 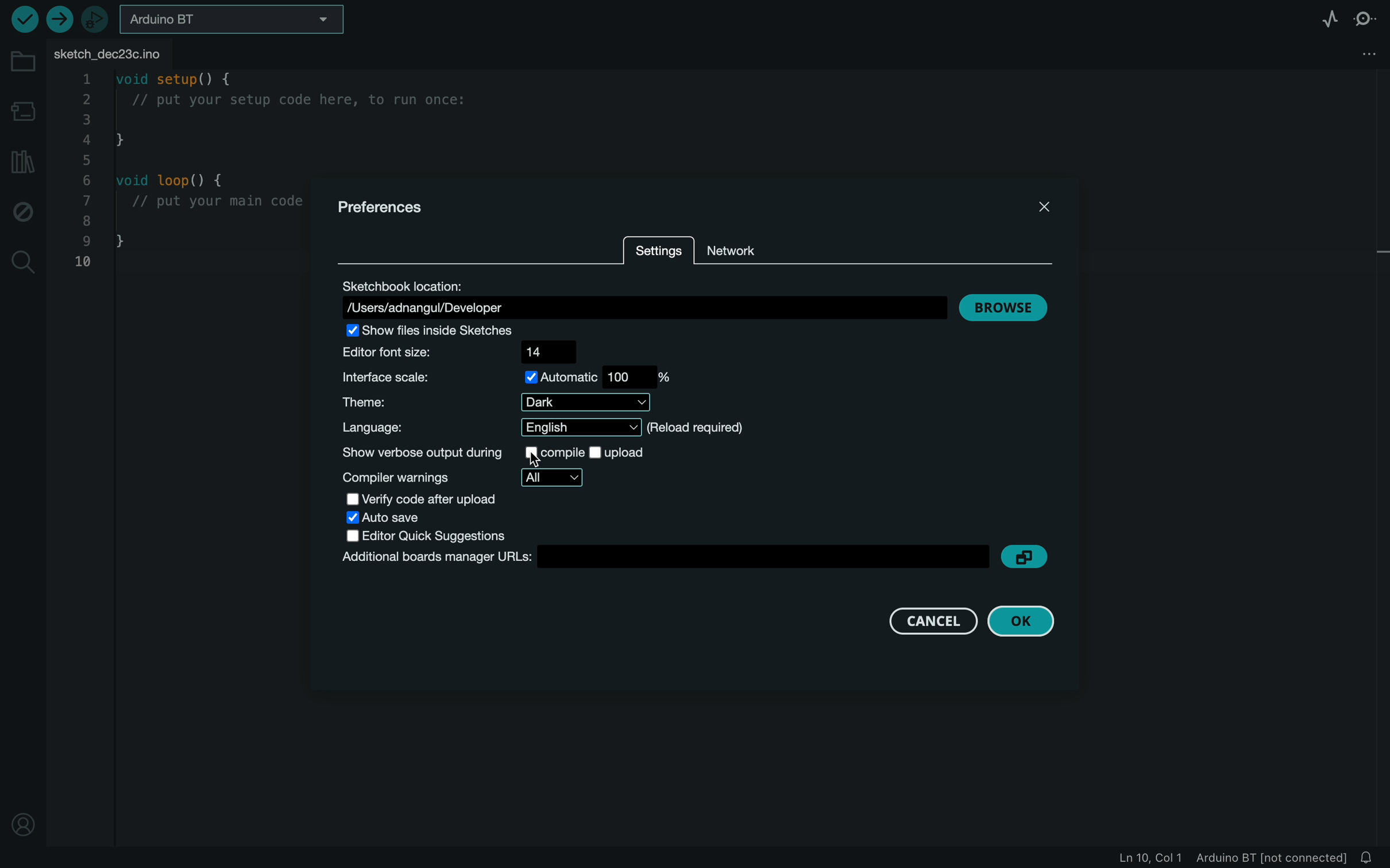 I want to click on browse, so click(x=1005, y=305).